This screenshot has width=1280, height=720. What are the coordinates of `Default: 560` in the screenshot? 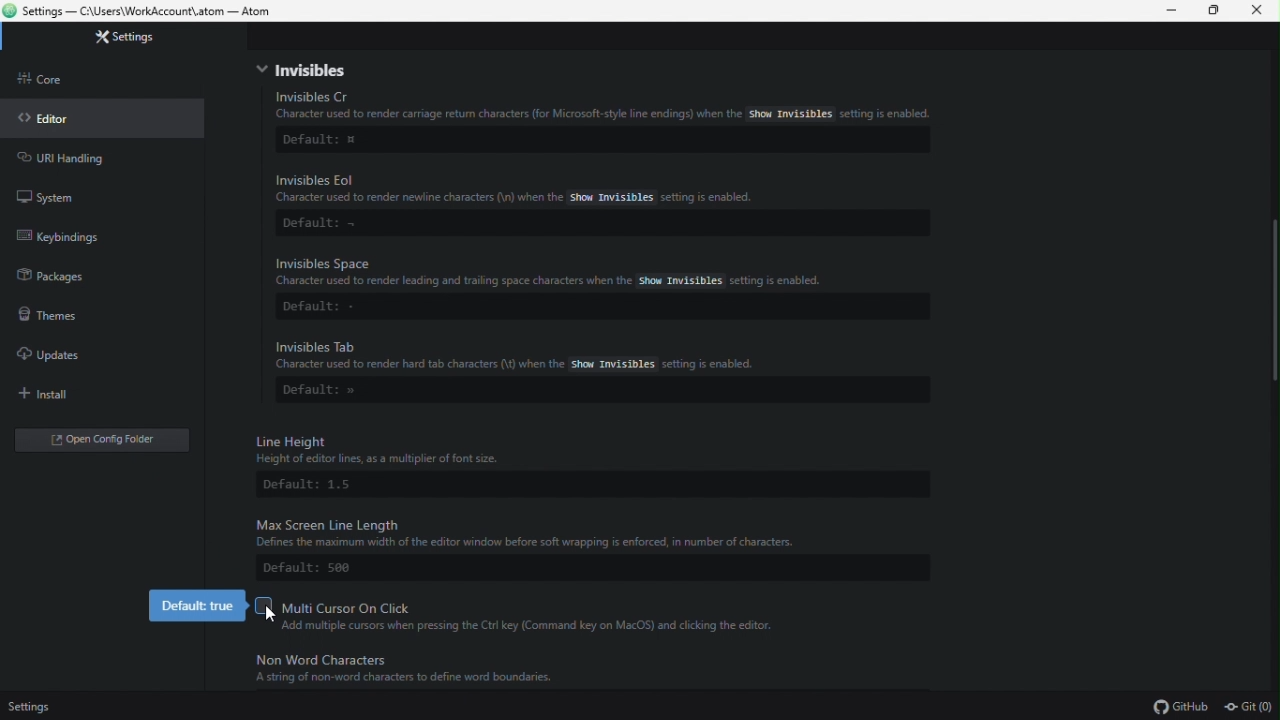 It's located at (324, 568).